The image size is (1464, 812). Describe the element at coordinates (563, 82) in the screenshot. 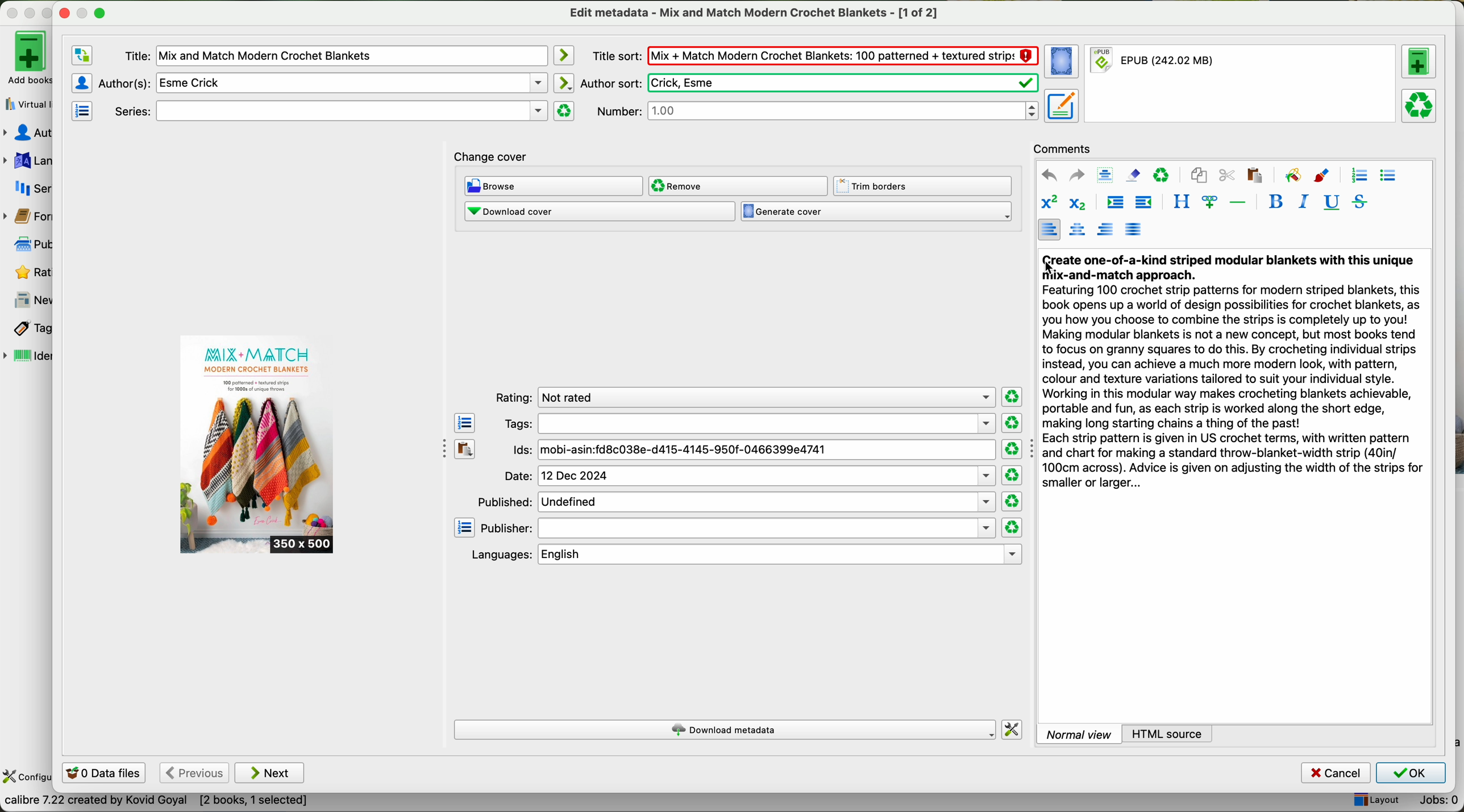

I see `automatically create de author sort` at that location.